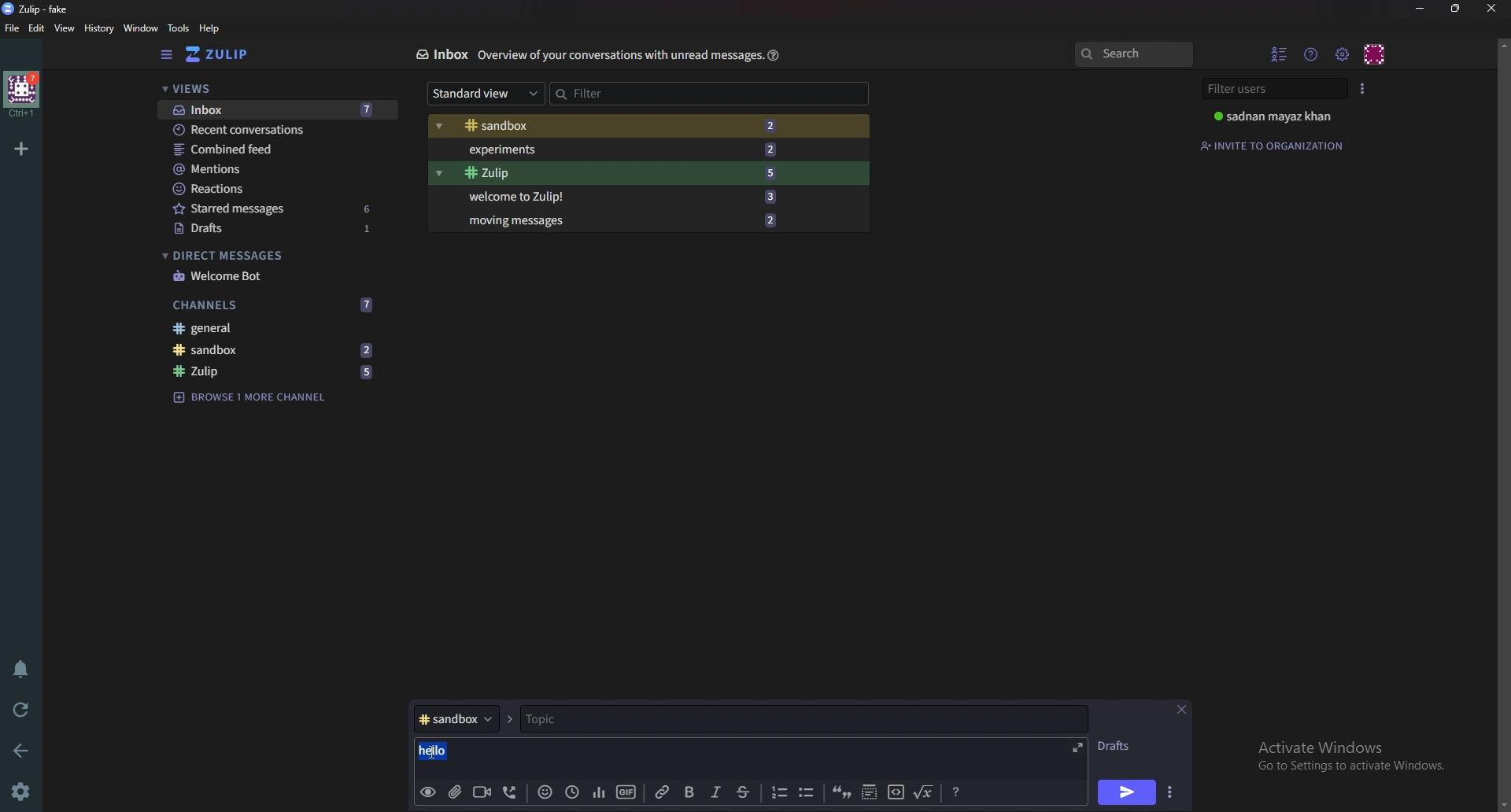  Describe the element at coordinates (98, 28) in the screenshot. I see `history` at that location.